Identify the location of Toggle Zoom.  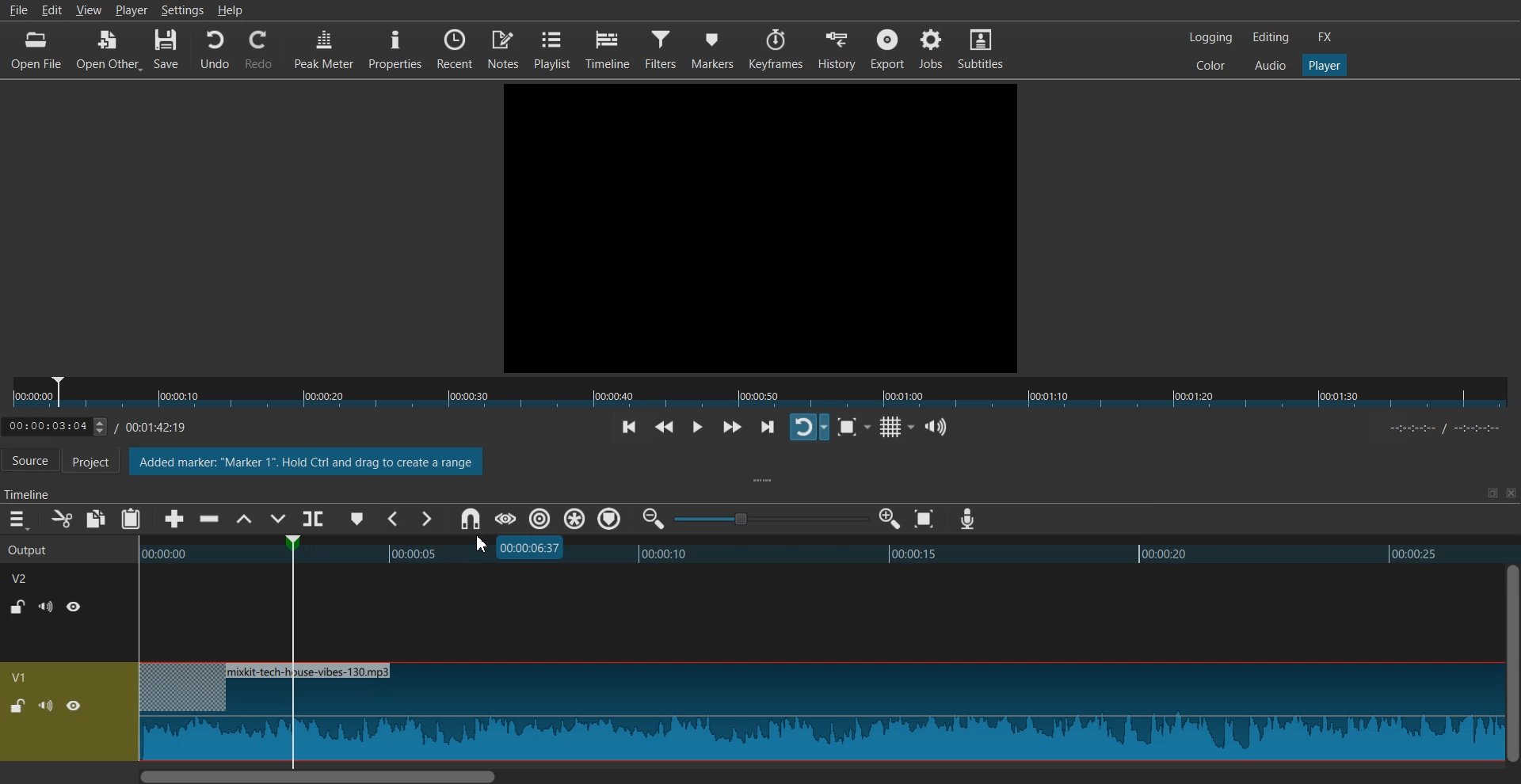
(849, 428).